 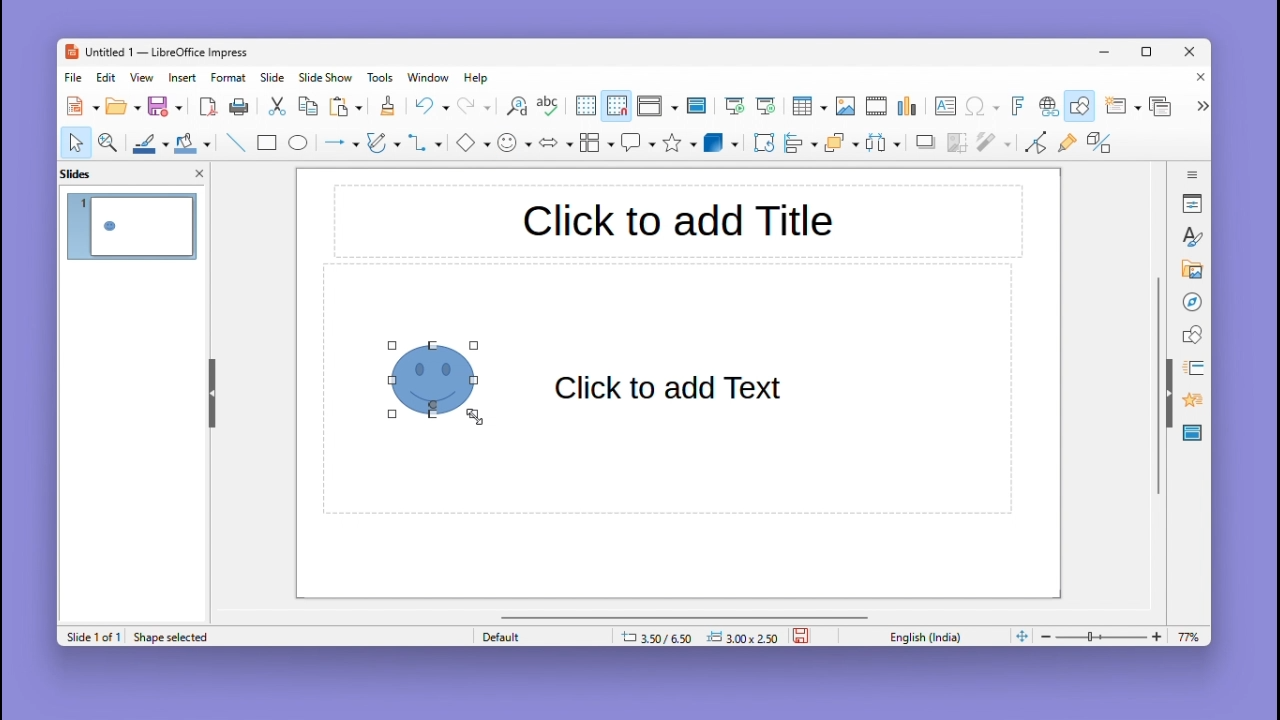 I want to click on Shape Symbol (Smiley), so click(x=440, y=379).